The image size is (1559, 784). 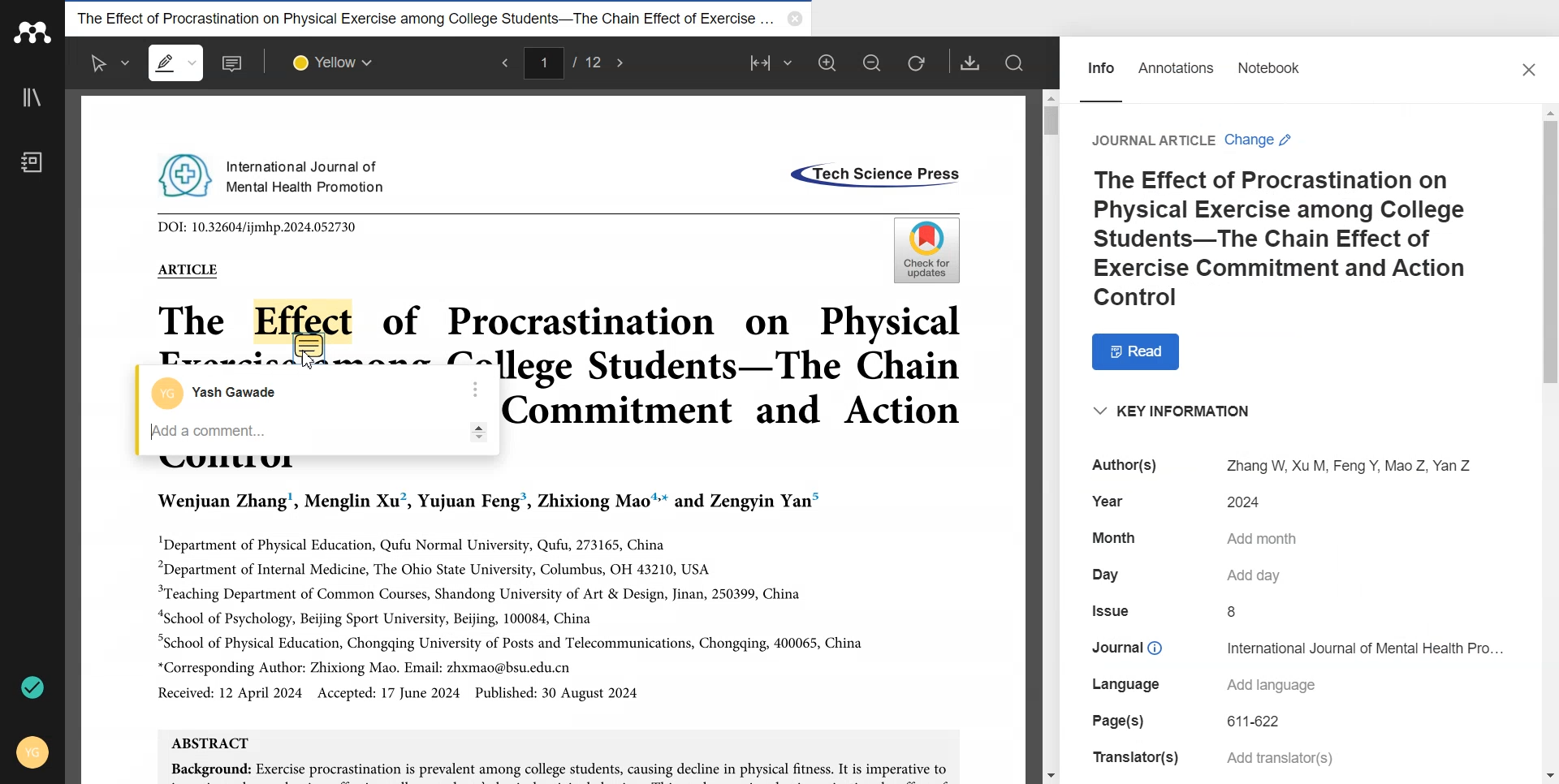 I want to click on Library, so click(x=32, y=97).